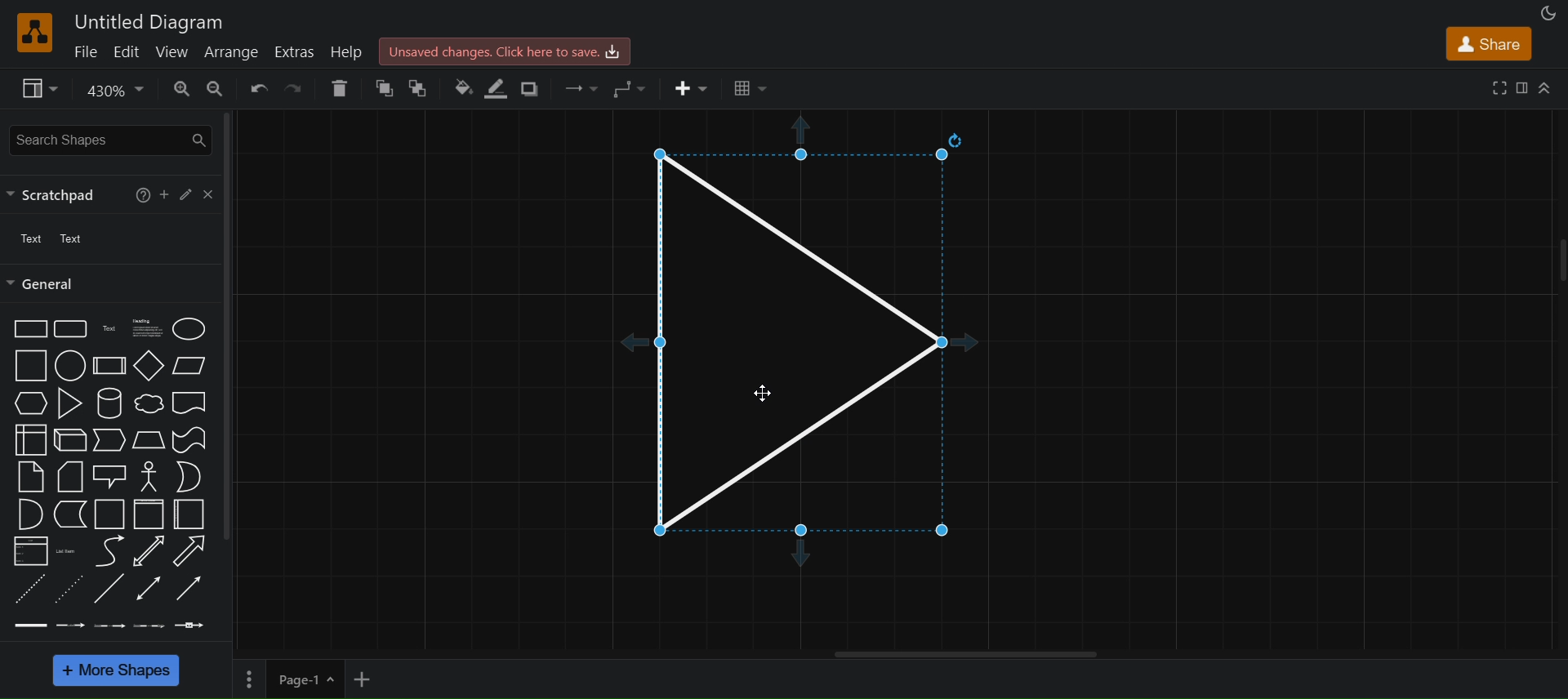  Describe the element at coordinates (231, 51) in the screenshot. I see `arrange` at that location.